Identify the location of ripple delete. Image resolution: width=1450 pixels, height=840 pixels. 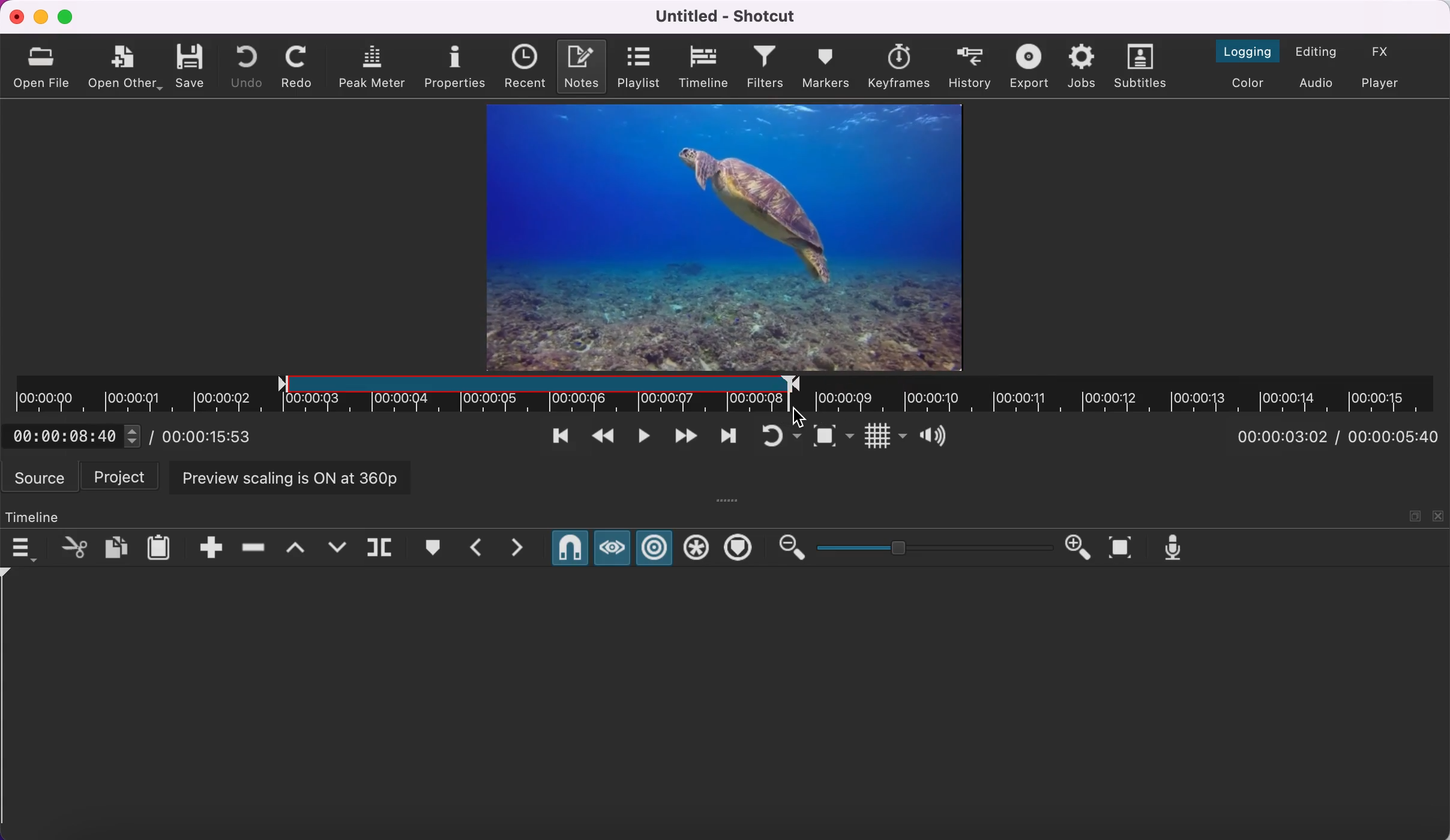
(252, 548).